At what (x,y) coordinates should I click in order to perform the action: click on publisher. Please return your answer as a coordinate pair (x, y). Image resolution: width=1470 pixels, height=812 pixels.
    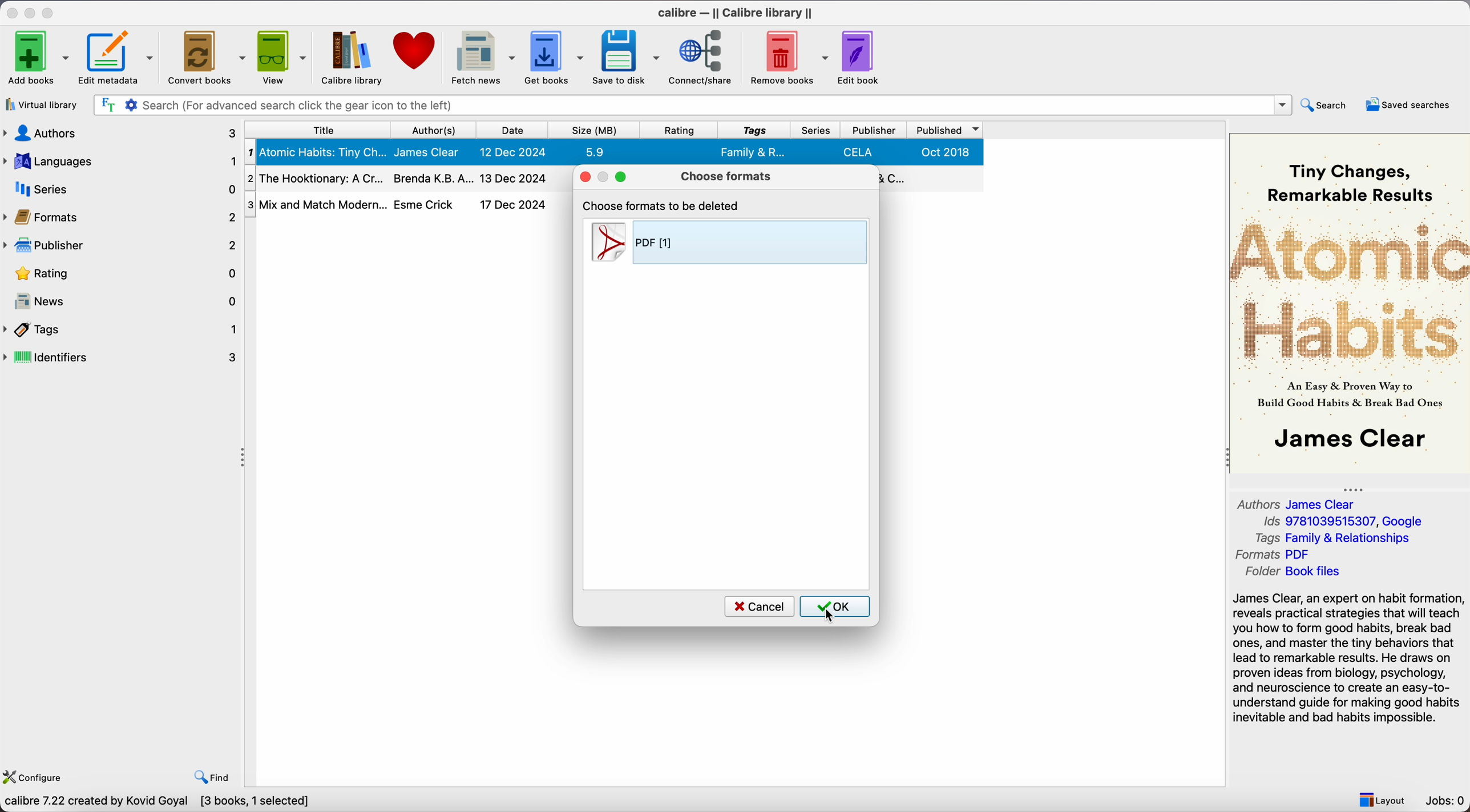
    Looking at the image, I should click on (875, 130).